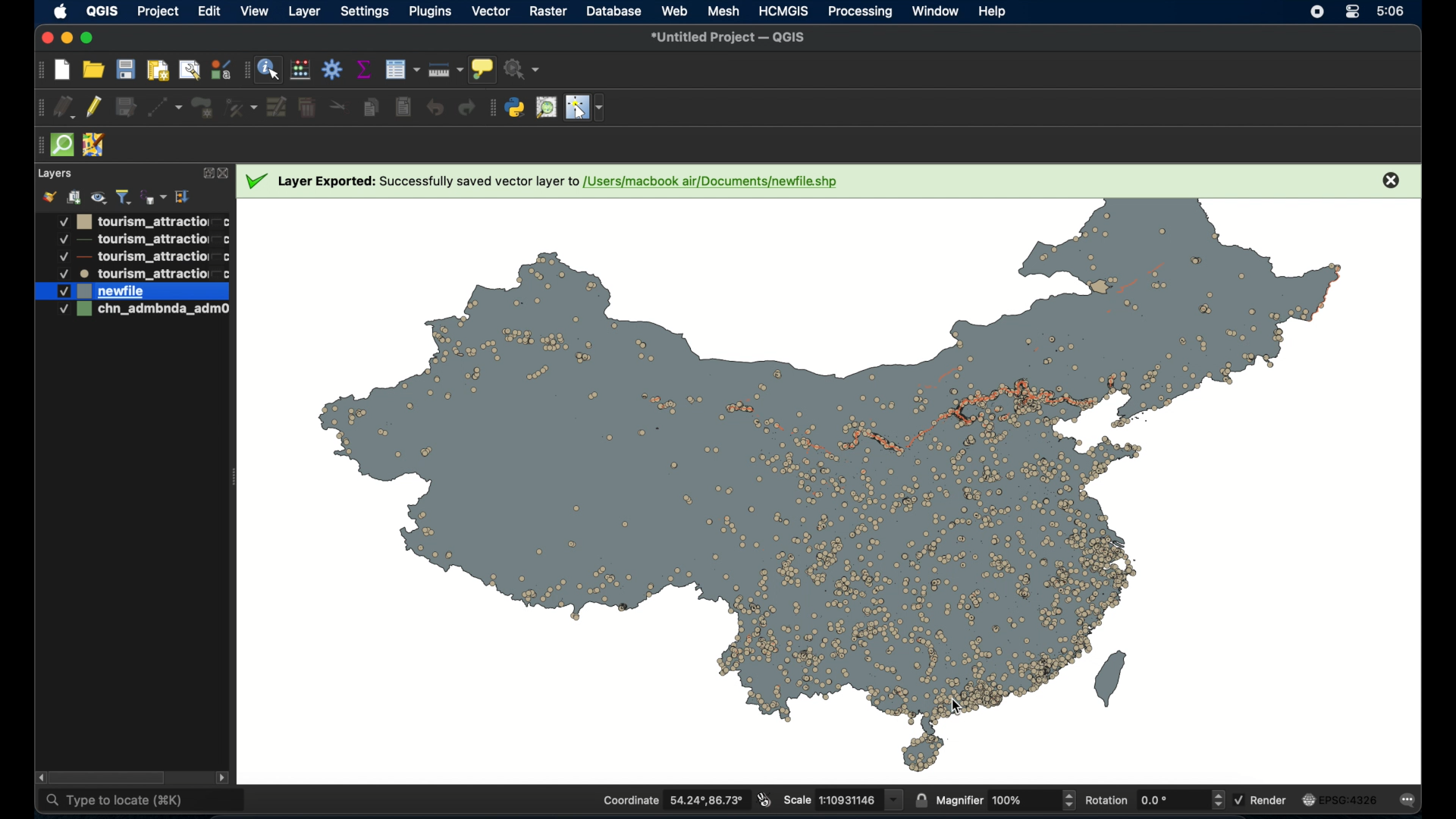 This screenshot has width=1456, height=819. Describe the element at coordinates (937, 11) in the screenshot. I see `window` at that location.